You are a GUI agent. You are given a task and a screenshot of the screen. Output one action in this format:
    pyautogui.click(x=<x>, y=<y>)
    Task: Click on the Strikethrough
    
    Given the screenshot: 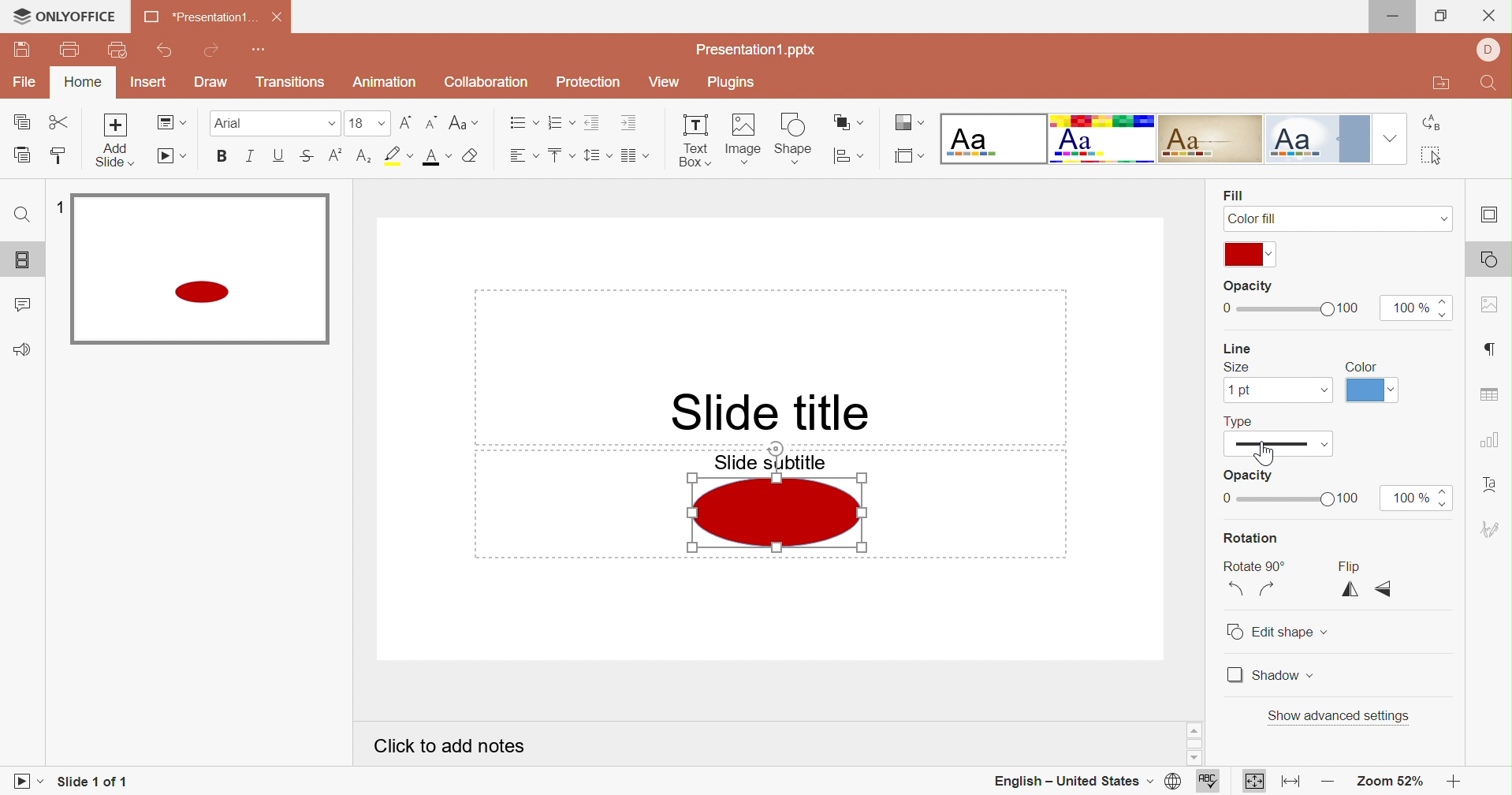 What is the action you would take?
    pyautogui.click(x=307, y=157)
    